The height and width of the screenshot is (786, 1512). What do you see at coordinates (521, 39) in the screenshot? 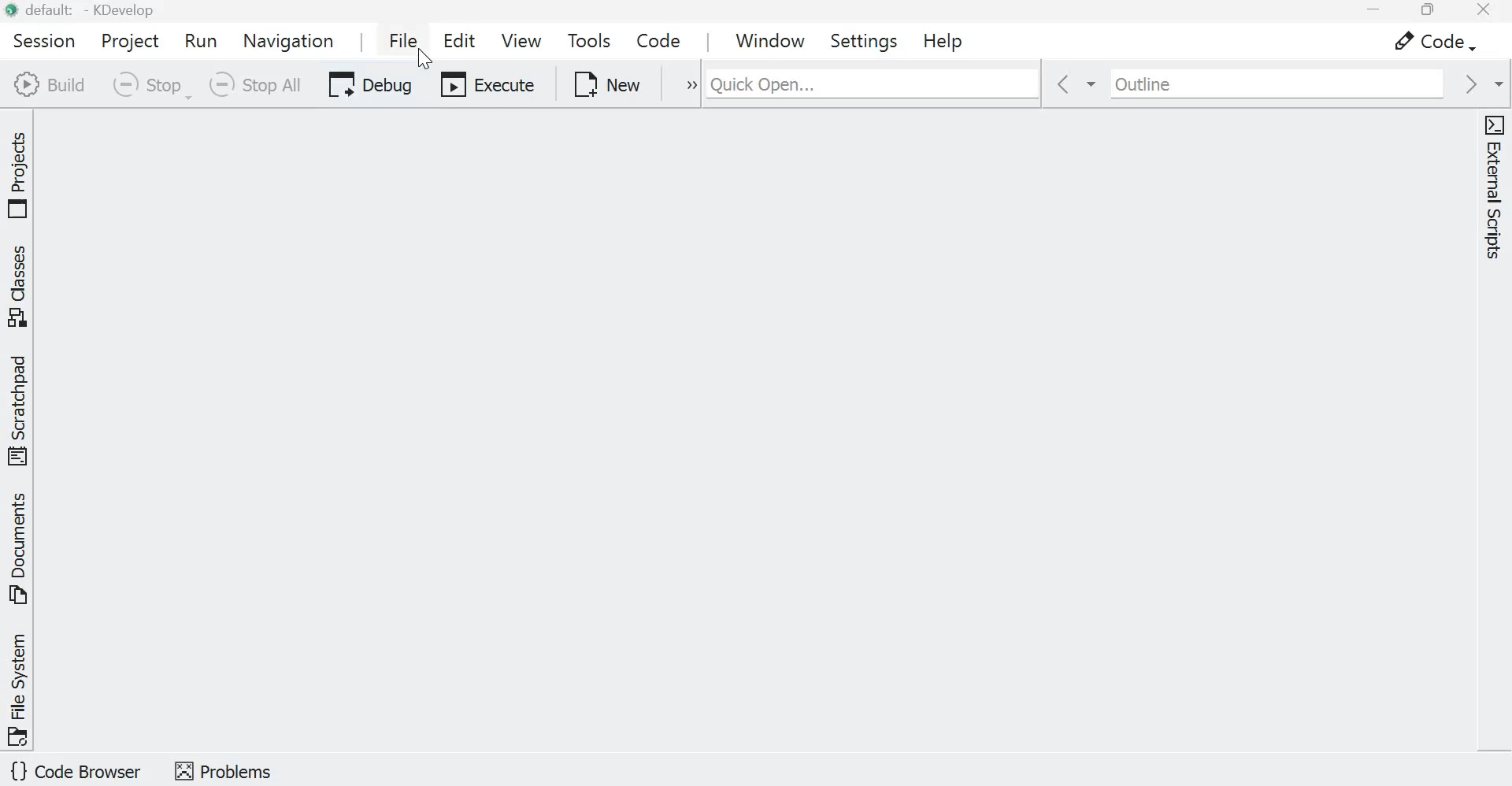
I see `View` at bounding box center [521, 39].